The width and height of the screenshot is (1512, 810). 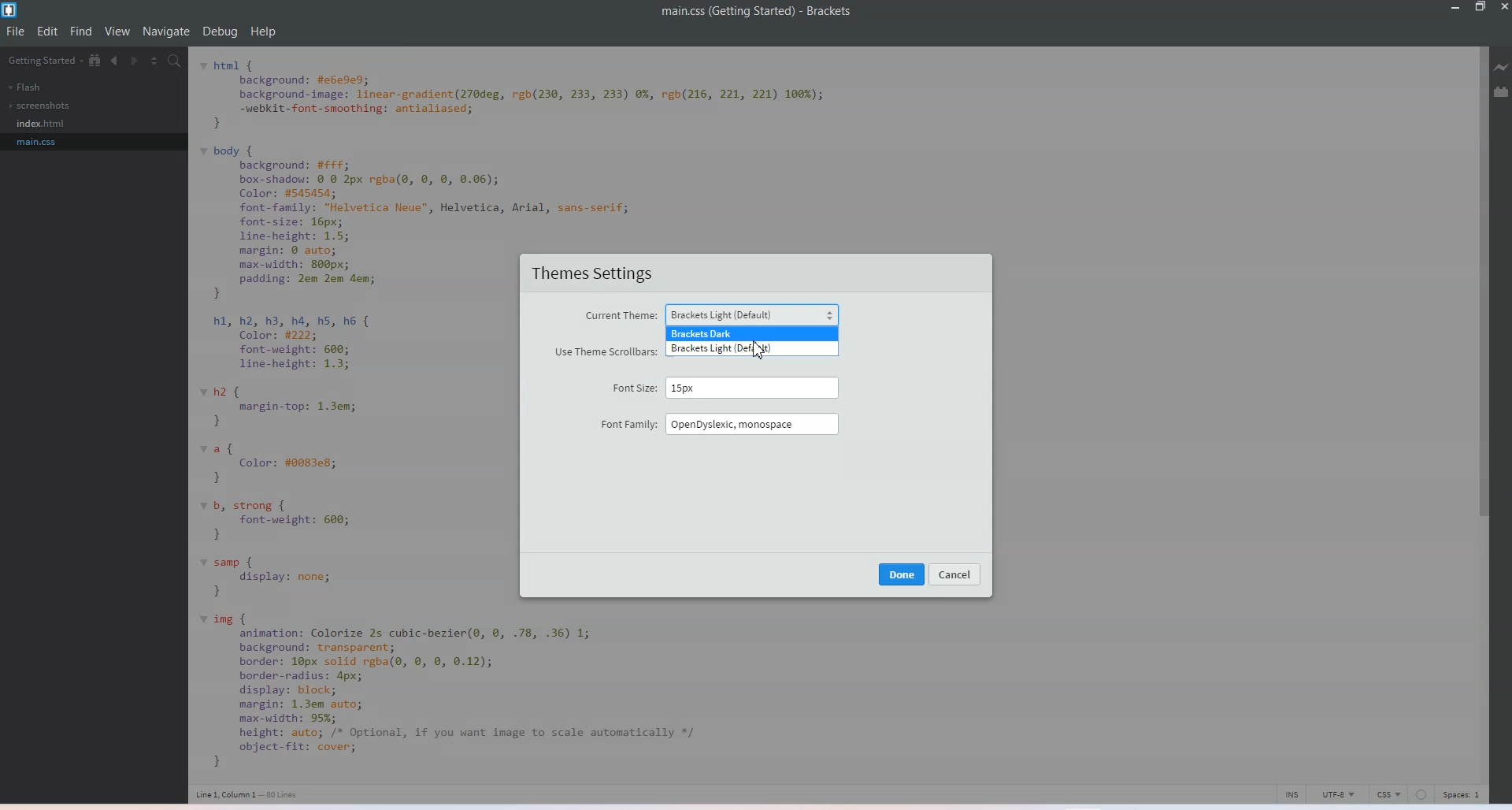 What do you see at coordinates (955, 573) in the screenshot?
I see `cancel` at bounding box center [955, 573].